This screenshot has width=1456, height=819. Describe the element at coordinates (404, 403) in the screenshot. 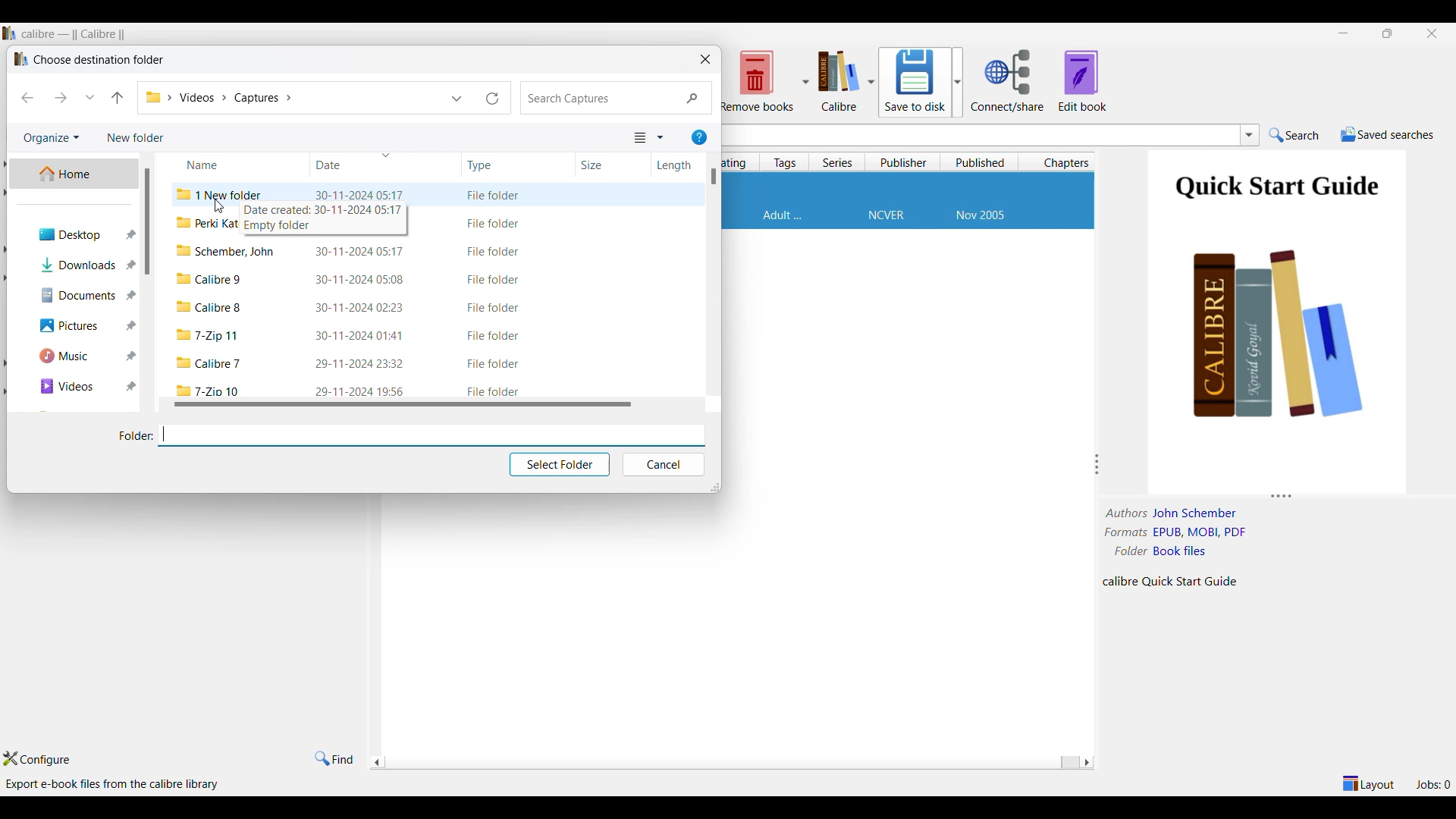

I see `Horizontal slide bar` at that location.